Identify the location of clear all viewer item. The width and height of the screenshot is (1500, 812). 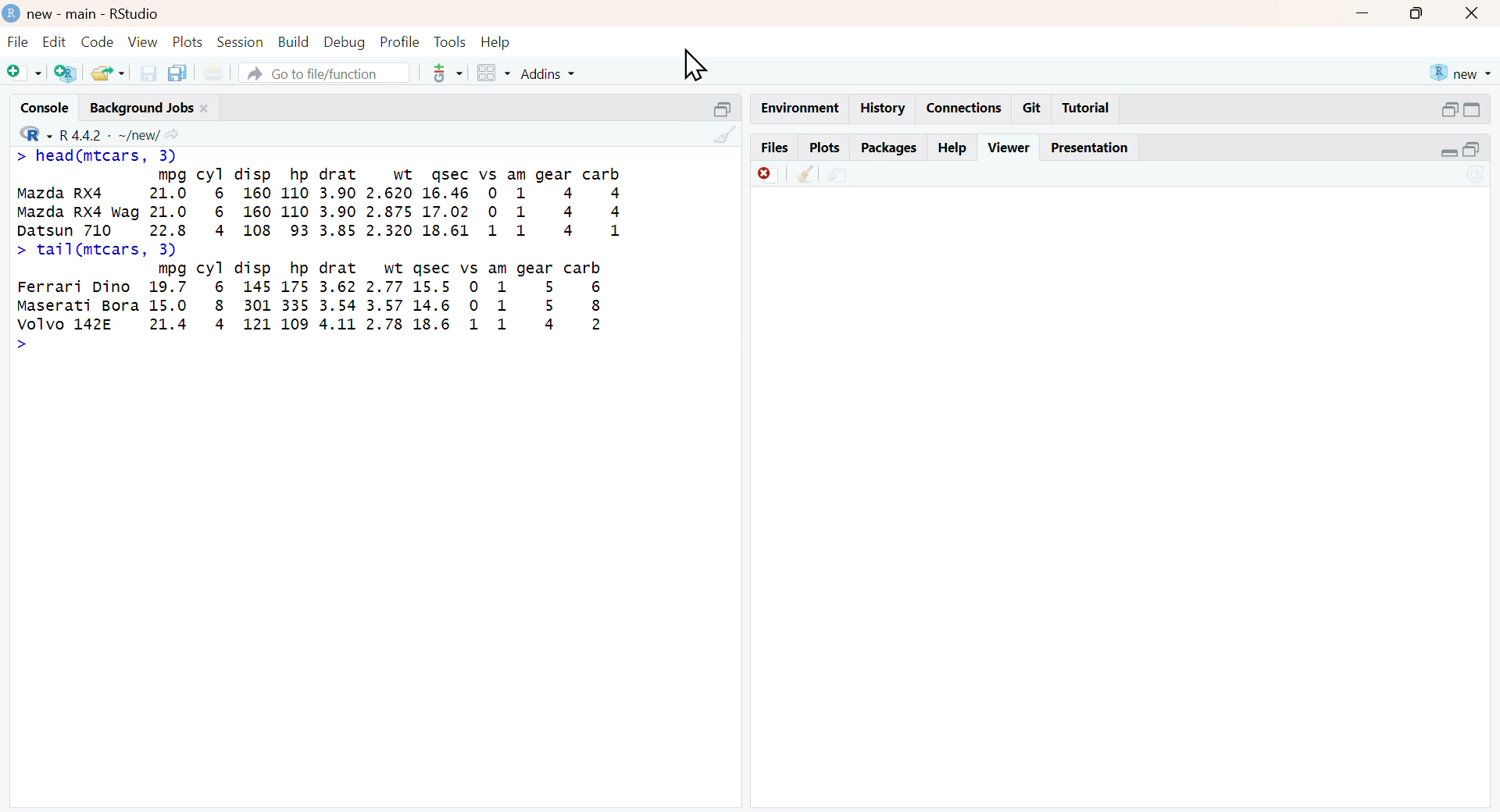
(799, 176).